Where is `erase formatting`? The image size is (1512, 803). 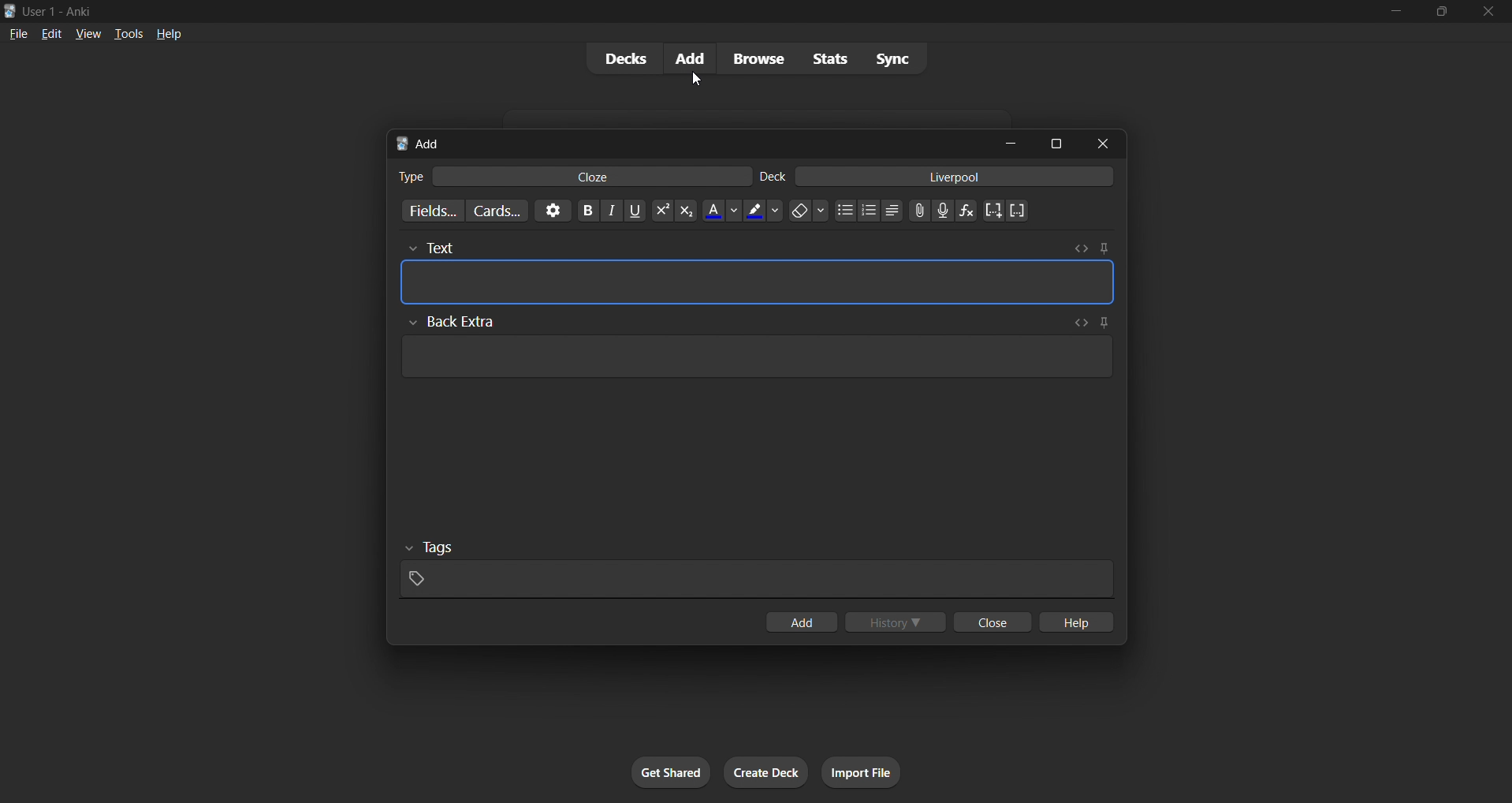 erase formatting is located at coordinates (810, 214).